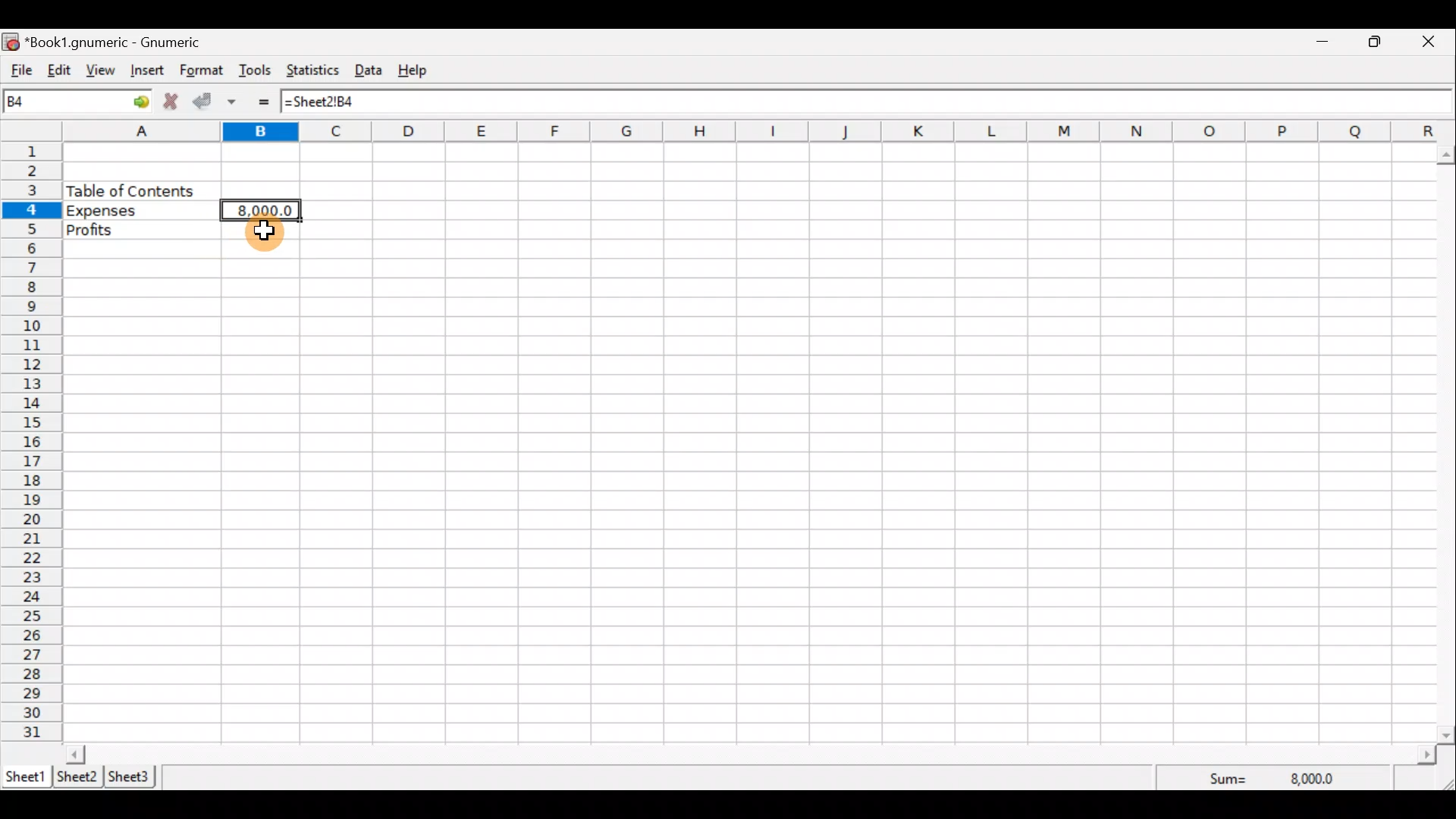  What do you see at coordinates (78, 101) in the screenshot?
I see `Cell name` at bounding box center [78, 101].